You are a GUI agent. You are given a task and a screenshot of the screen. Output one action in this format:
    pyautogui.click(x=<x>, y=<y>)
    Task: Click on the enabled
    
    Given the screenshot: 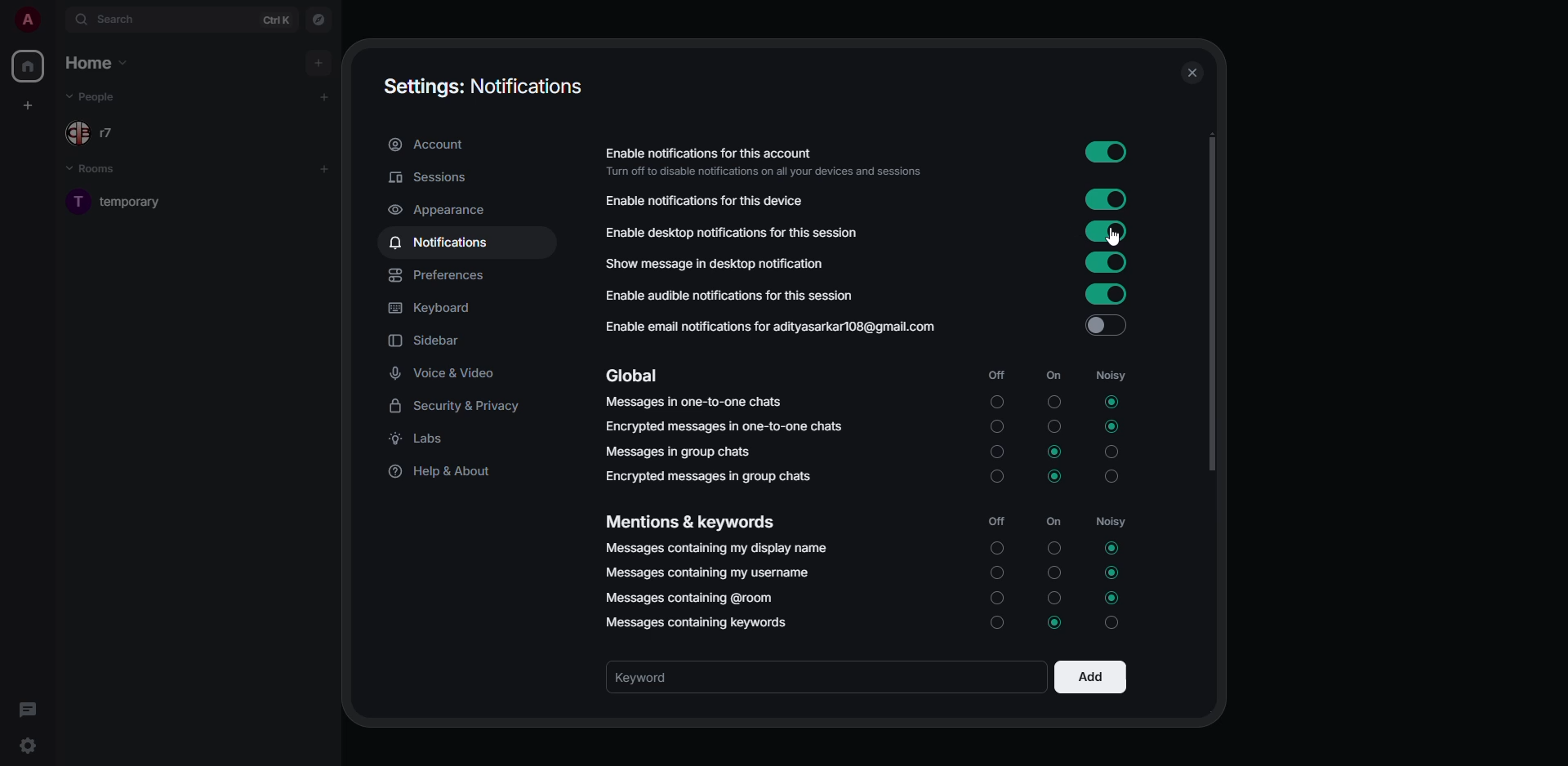 What is the action you would take?
    pyautogui.click(x=1107, y=200)
    